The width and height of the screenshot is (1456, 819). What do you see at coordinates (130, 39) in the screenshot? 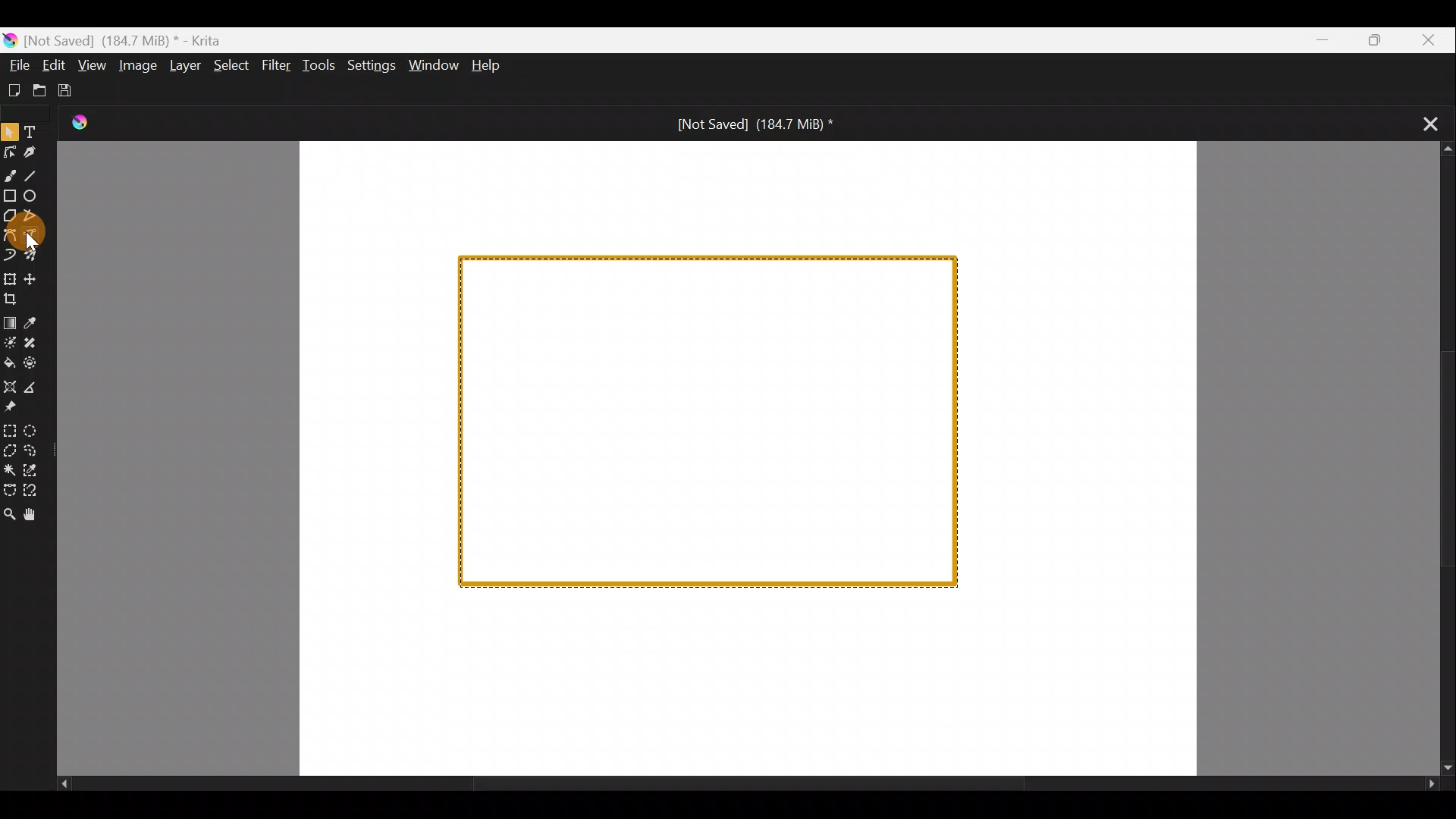
I see `) [Not Saved] (184.7 MiB) * - Krita` at bounding box center [130, 39].